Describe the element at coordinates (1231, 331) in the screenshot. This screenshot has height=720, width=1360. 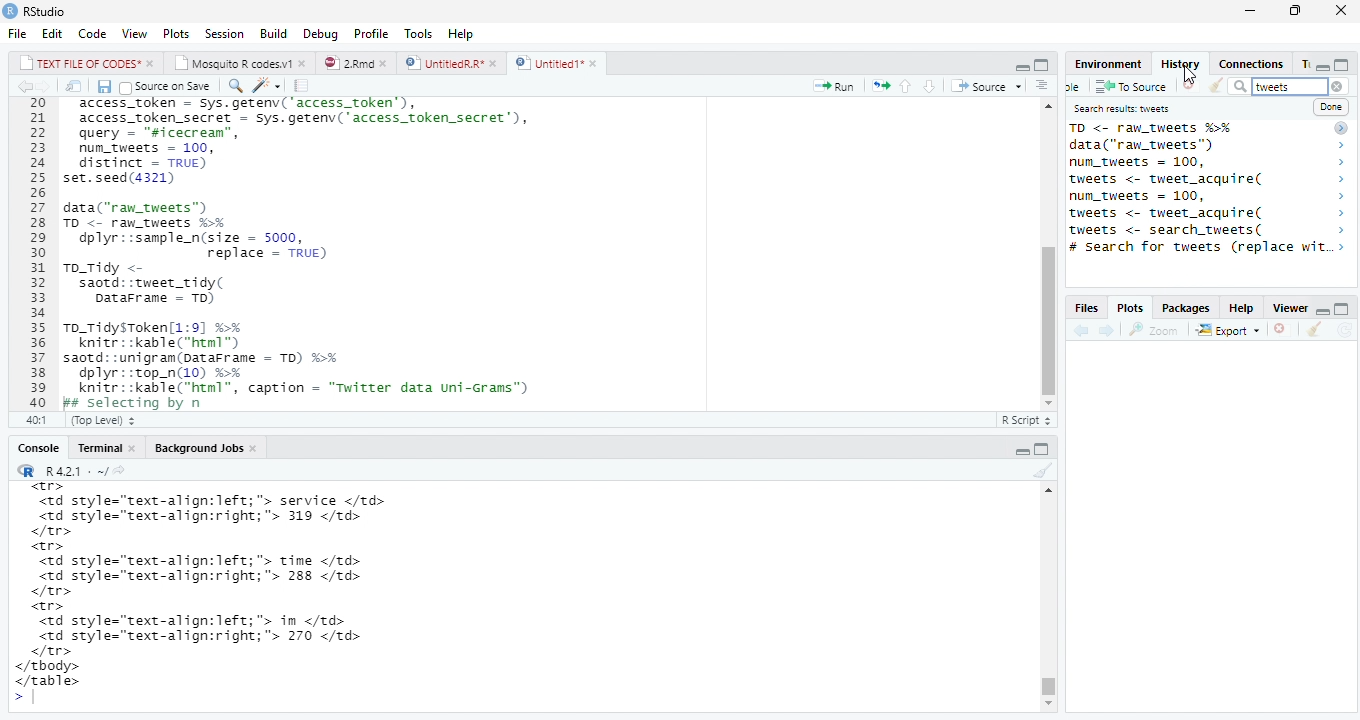
I see ` Export` at that location.